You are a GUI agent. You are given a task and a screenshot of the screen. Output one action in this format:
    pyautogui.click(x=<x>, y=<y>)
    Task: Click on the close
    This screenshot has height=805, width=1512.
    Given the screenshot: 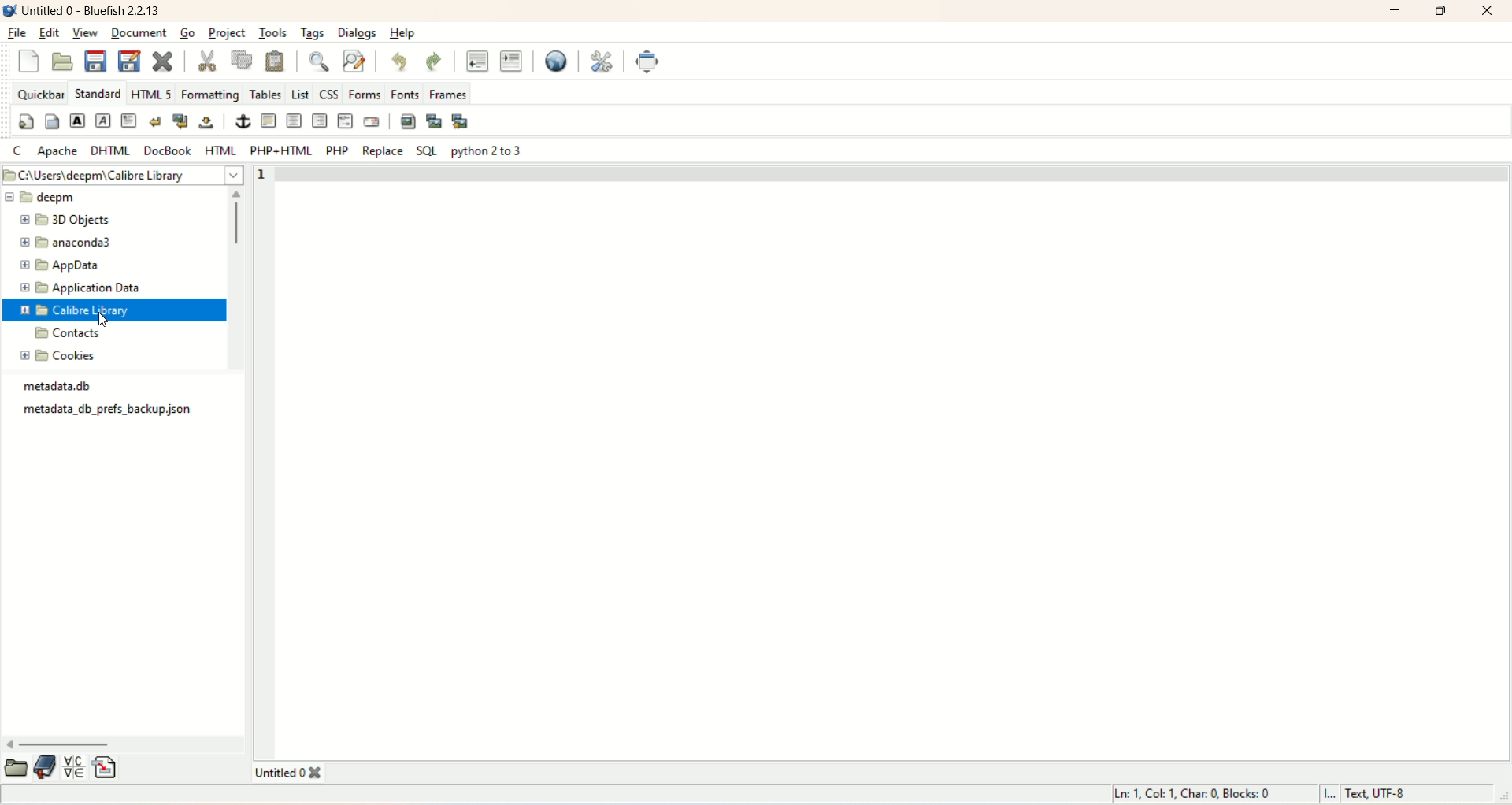 What is the action you would take?
    pyautogui.click(x=1485, y=13)
    